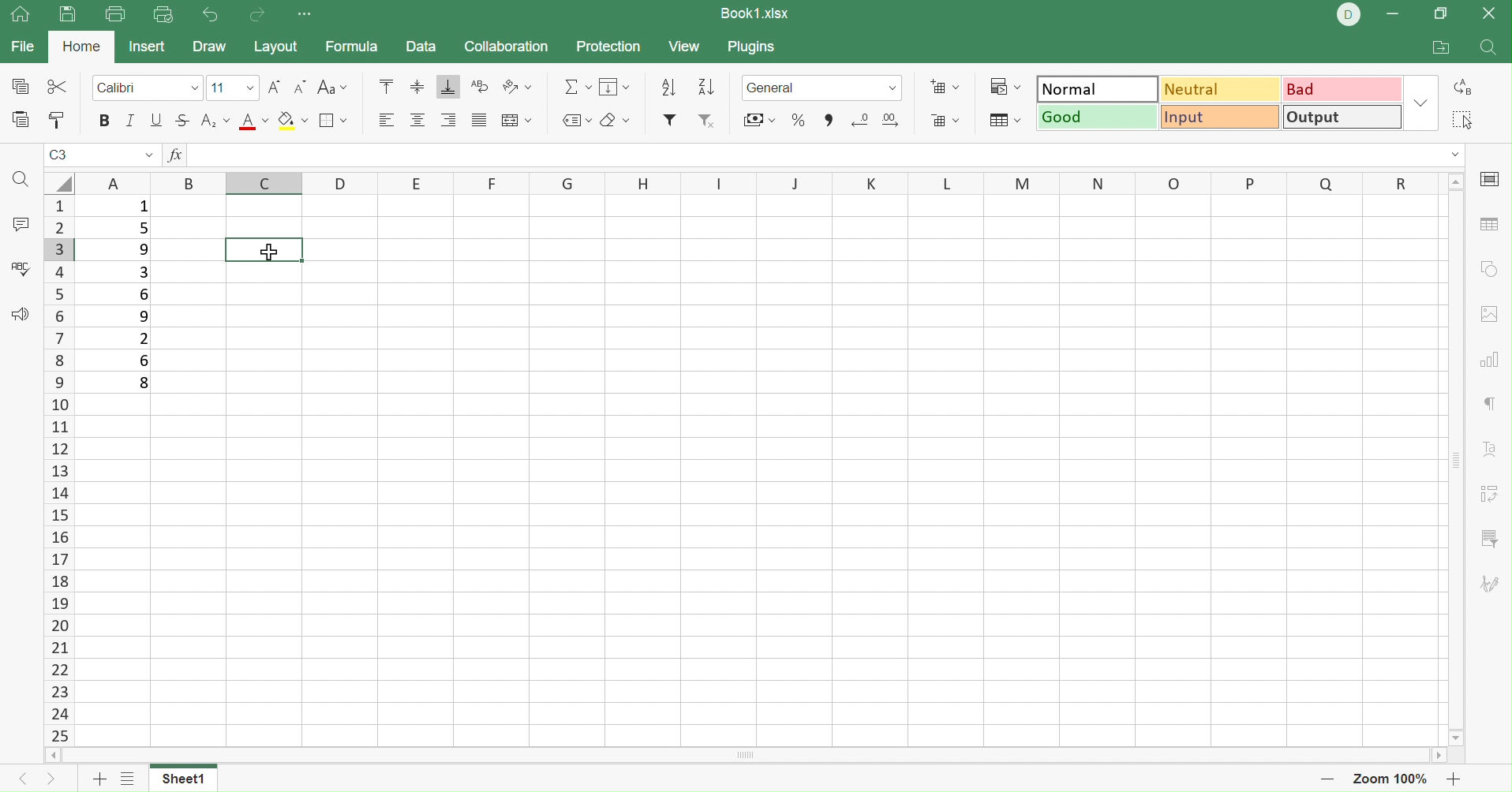 The width and height of the screenshot is (1512, 792). I want to click on Cursor, so click(271, 251).